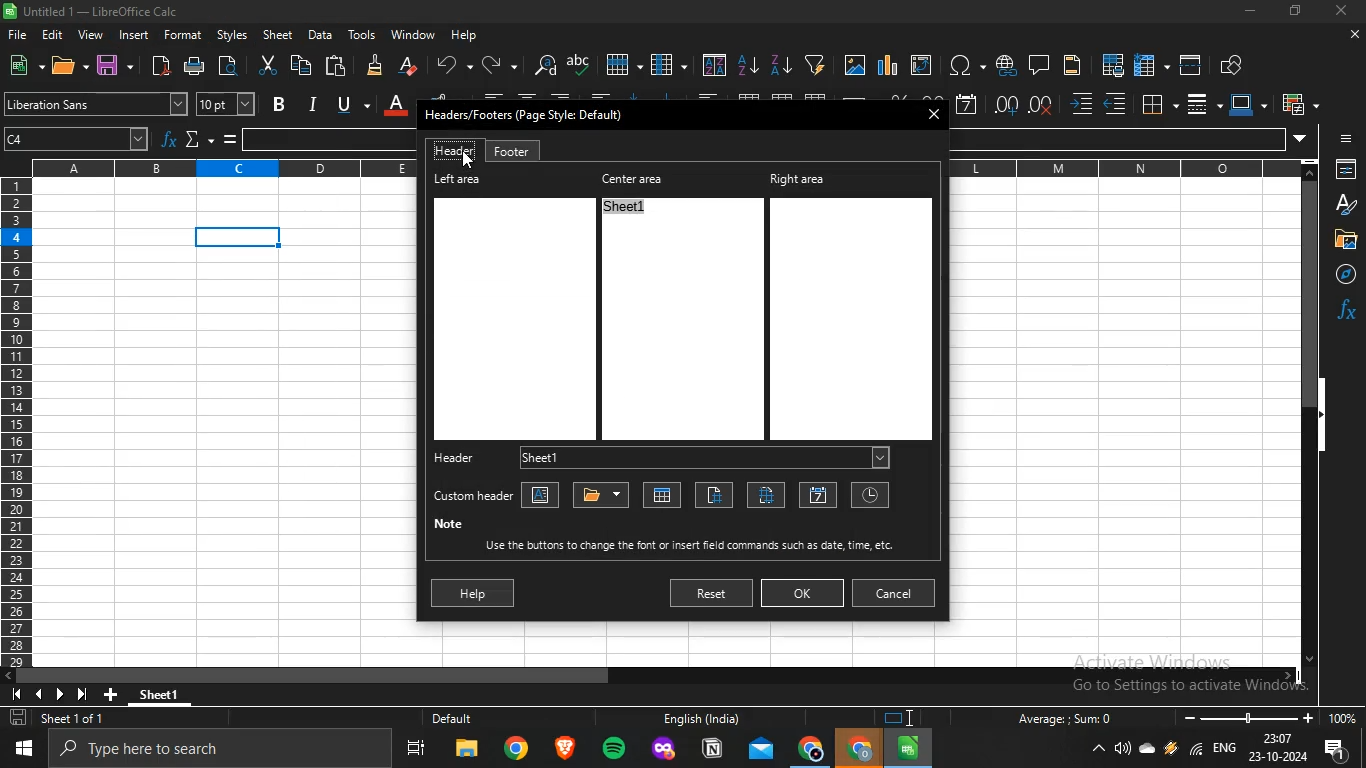 The width and height of the screenshot is (1366, 768). What do you see at coordinates (134, 34) in the screenshot?
I see `insert` at bounding box center [134, 34].